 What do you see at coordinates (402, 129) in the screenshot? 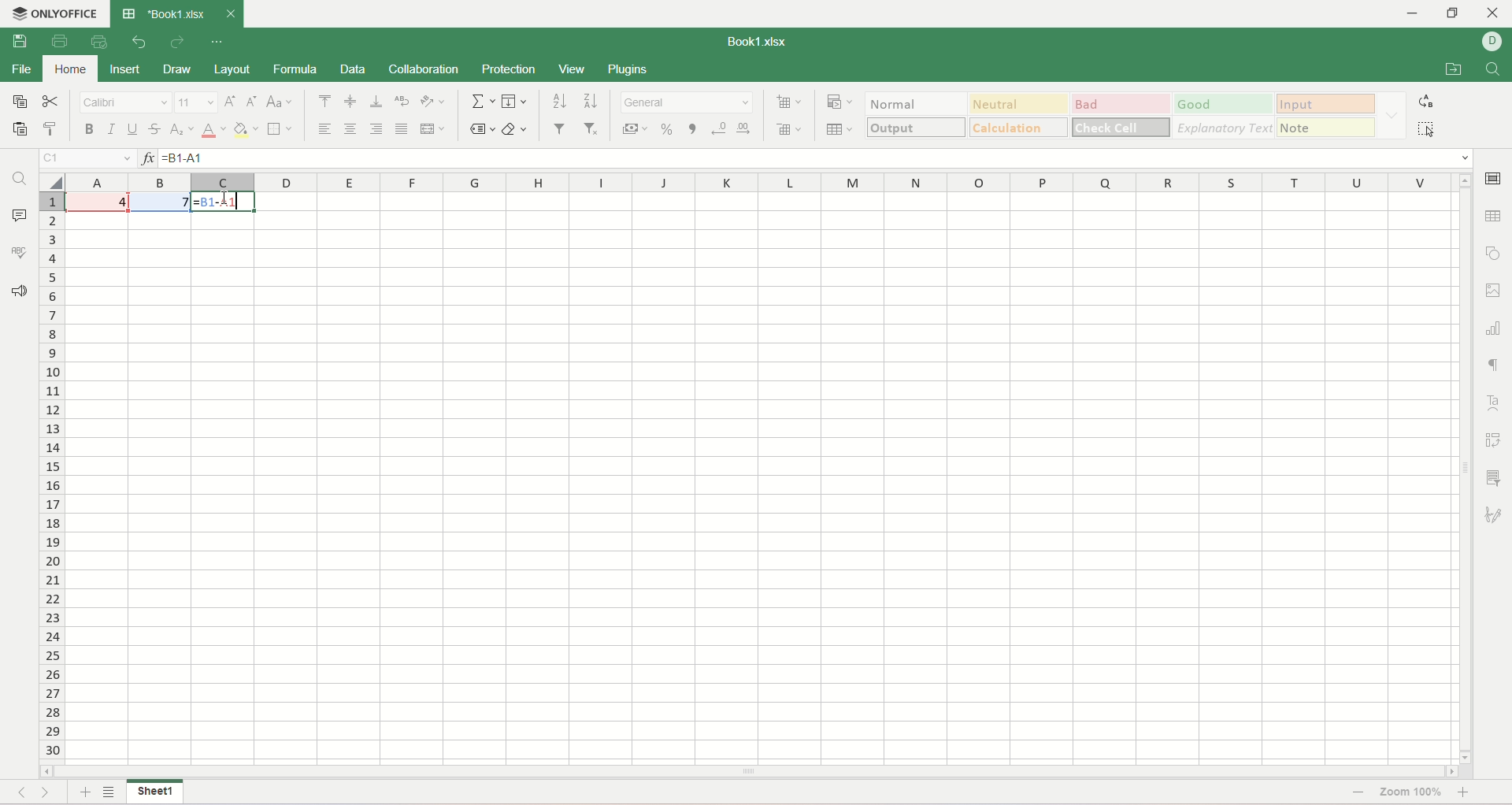
I see `justified` at bounding box center [402, 129].